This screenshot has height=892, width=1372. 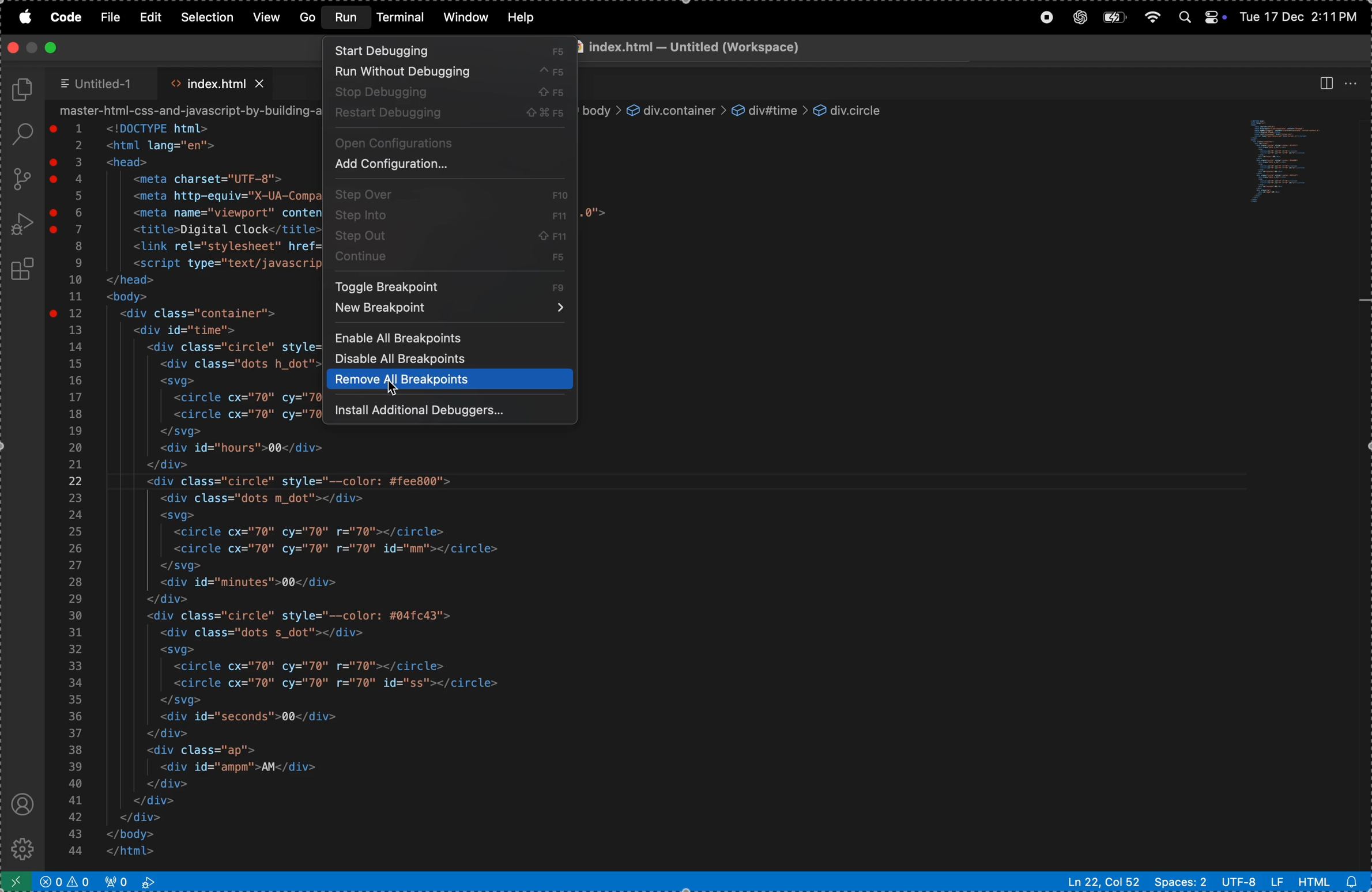 What do you see at coordinates (796, 48) in the screenshot?
I see `index.html. page title` at bounding box center [796, 48].